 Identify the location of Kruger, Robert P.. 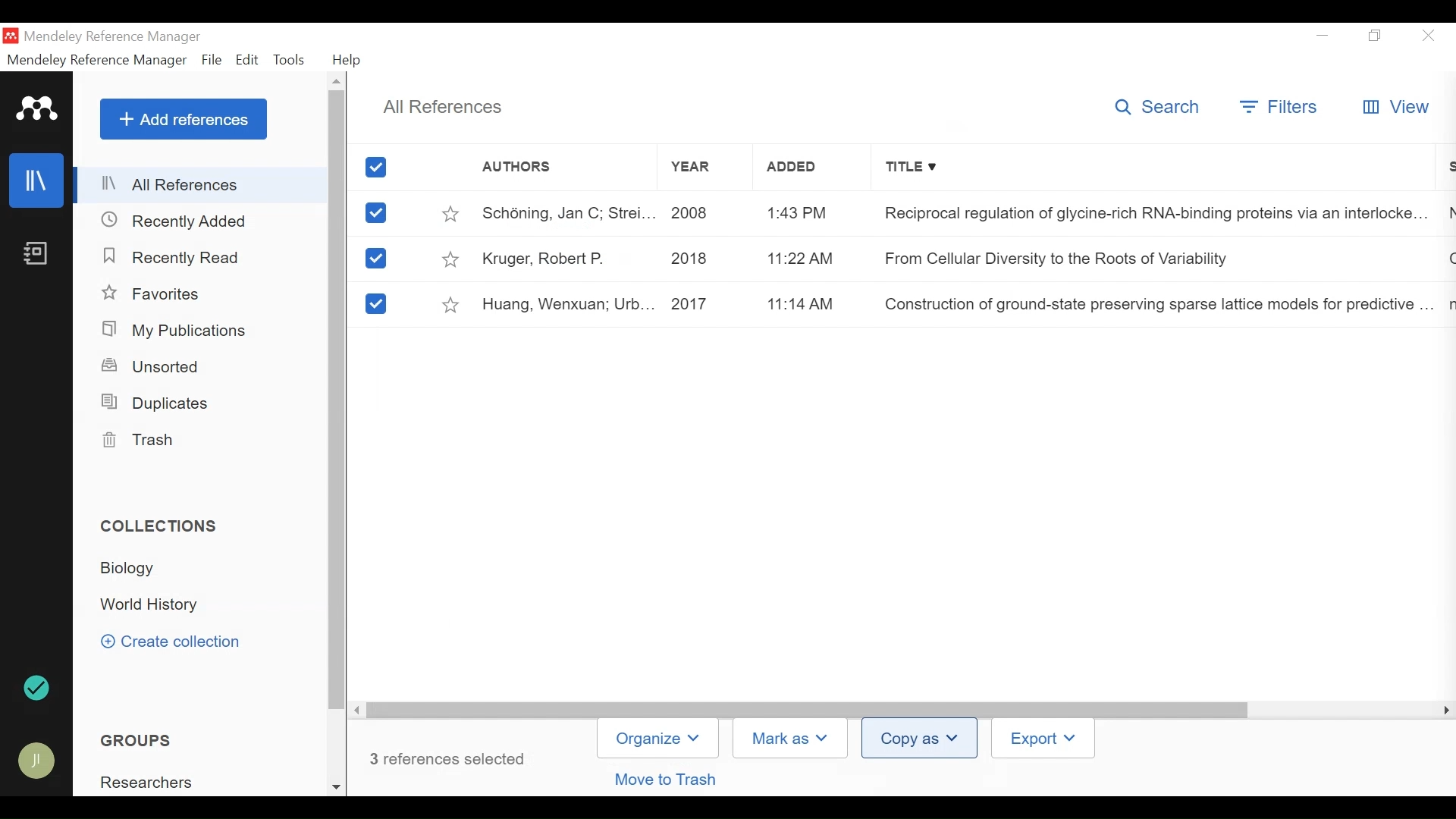
(567, 257).